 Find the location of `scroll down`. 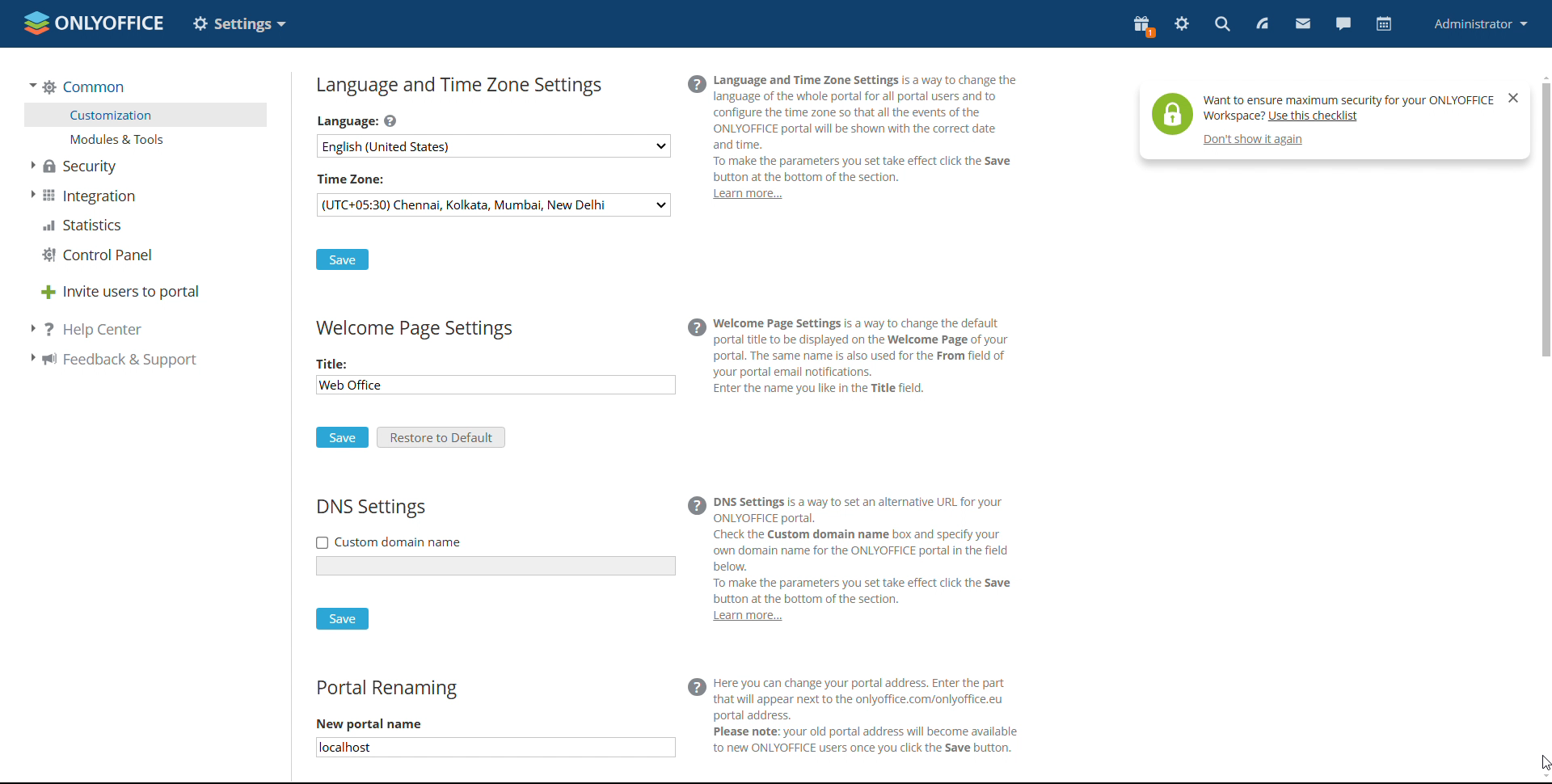

scroll down is located at coordinates (1542, 778).